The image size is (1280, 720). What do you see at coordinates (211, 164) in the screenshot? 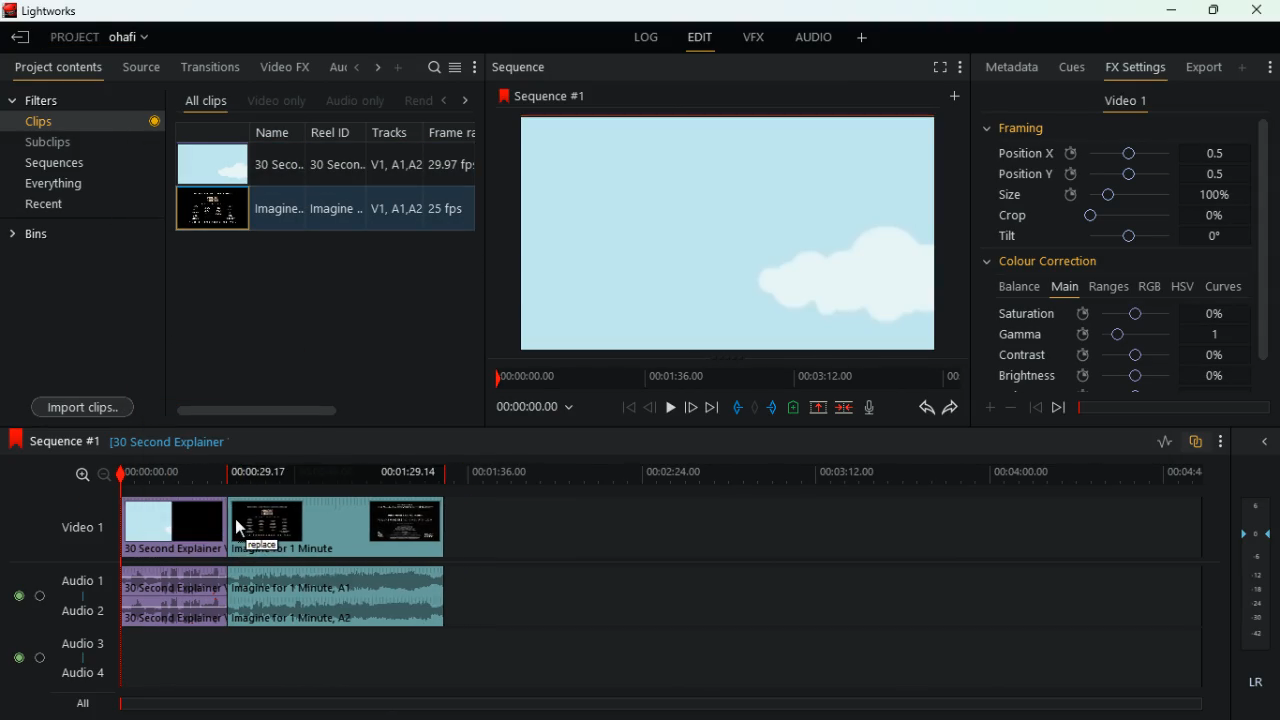
I see `video` at bounding box center [211, 164].